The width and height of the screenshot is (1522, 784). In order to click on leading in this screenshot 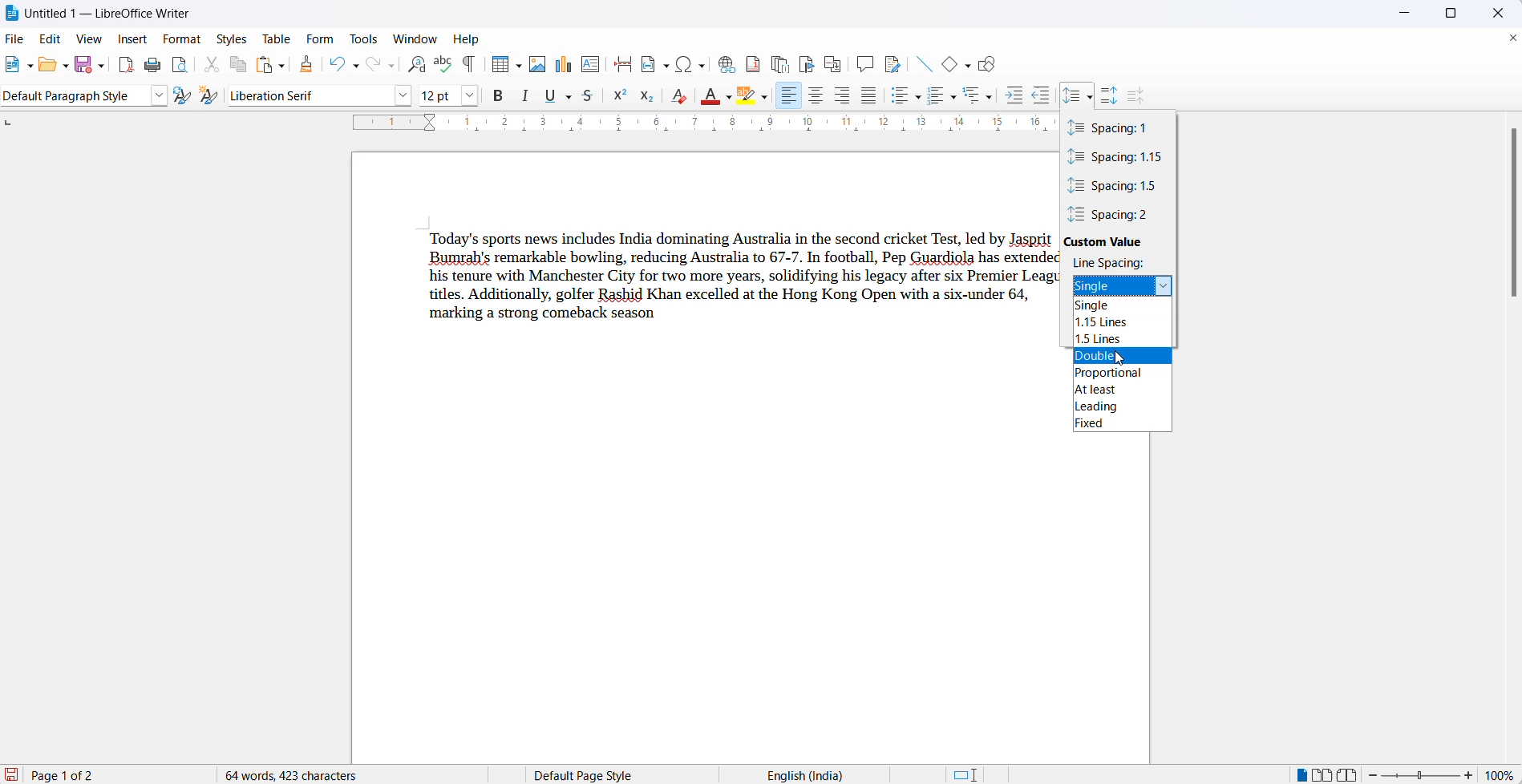, I will do `click(1120, 410)`.